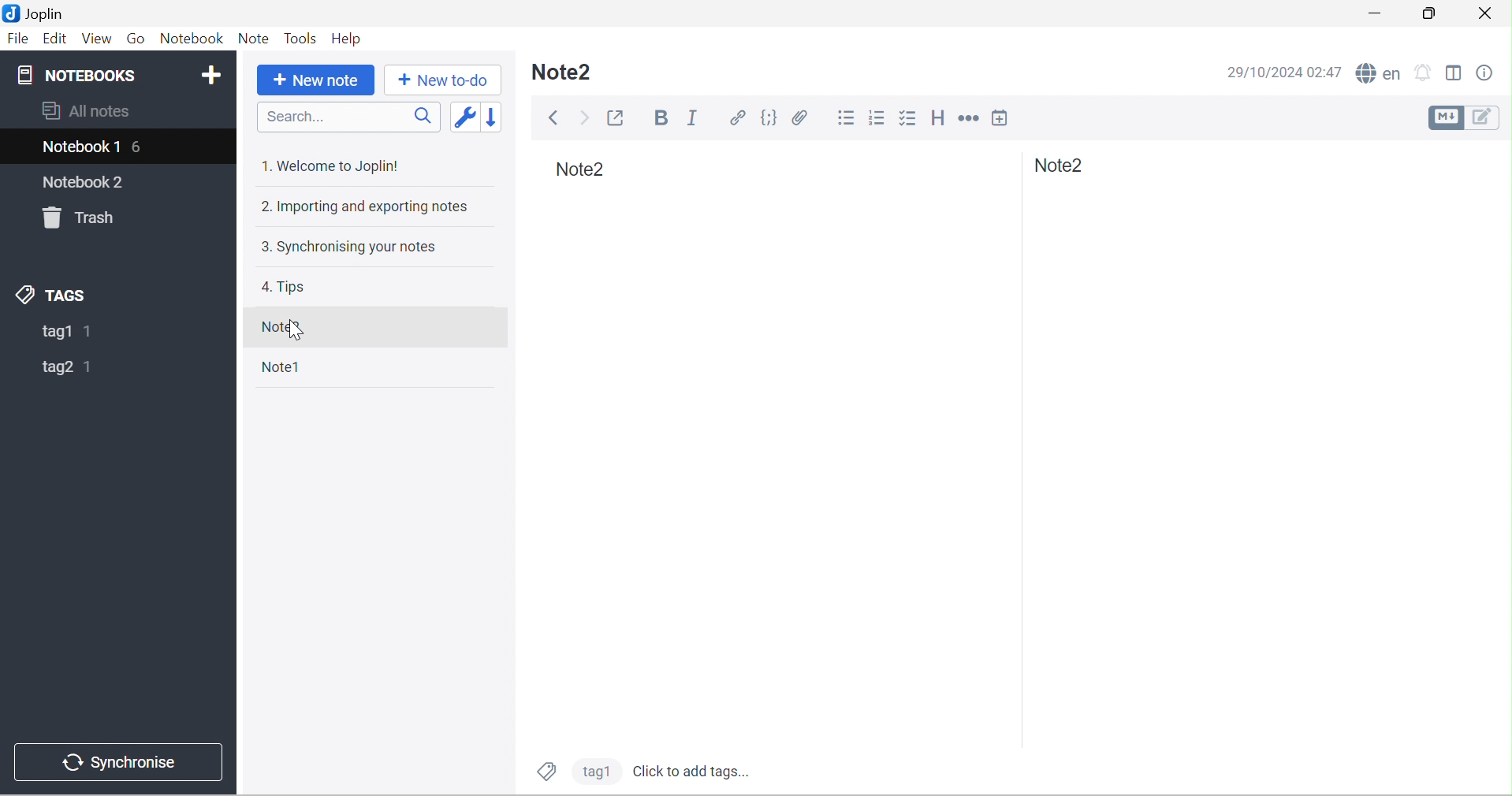 The height and width of the screenshot is (796, 1512). I want to click on Spell checker, so click(1378, 75).